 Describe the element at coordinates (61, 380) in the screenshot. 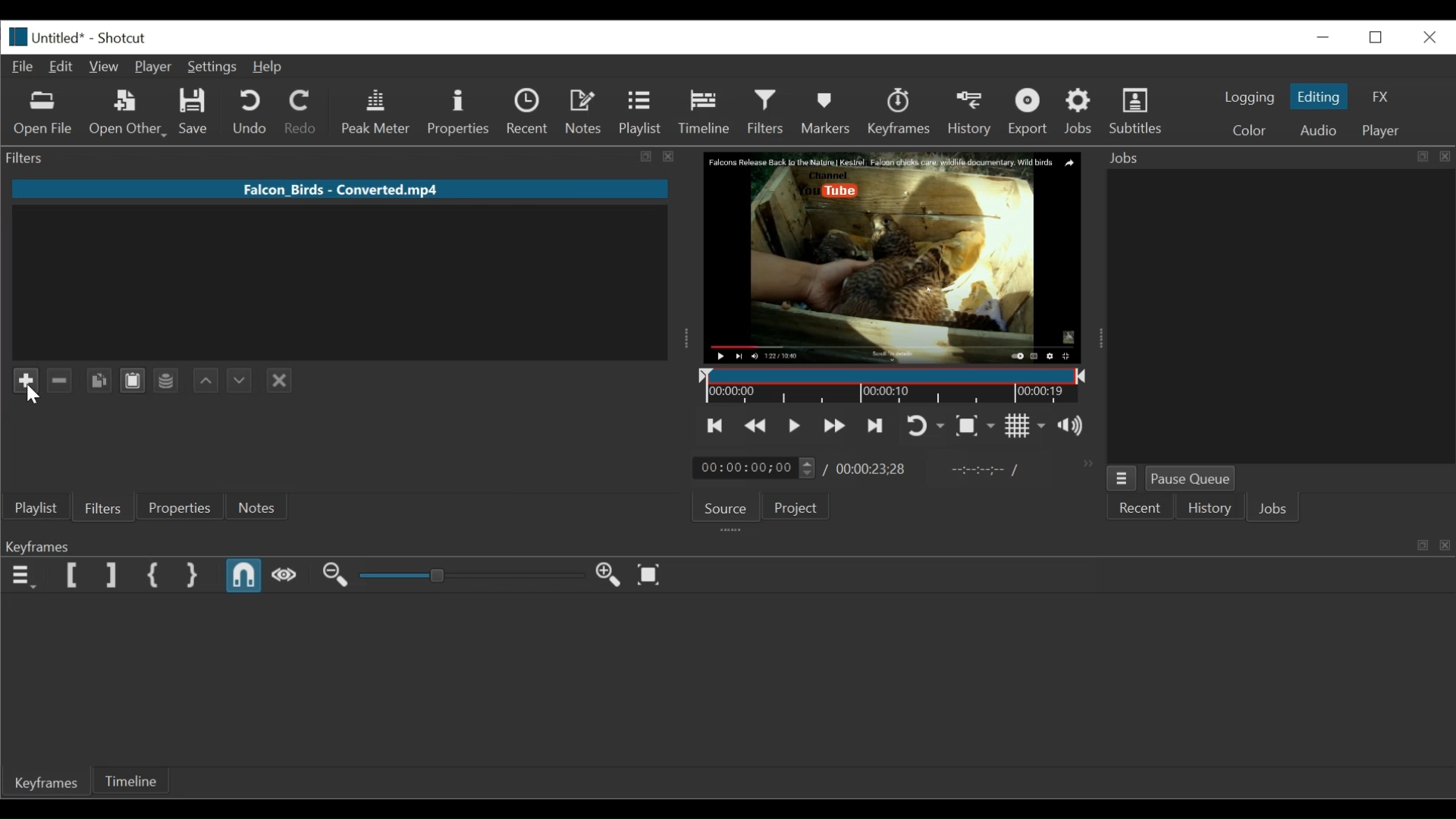

I see `Remove selected filter` at that location.